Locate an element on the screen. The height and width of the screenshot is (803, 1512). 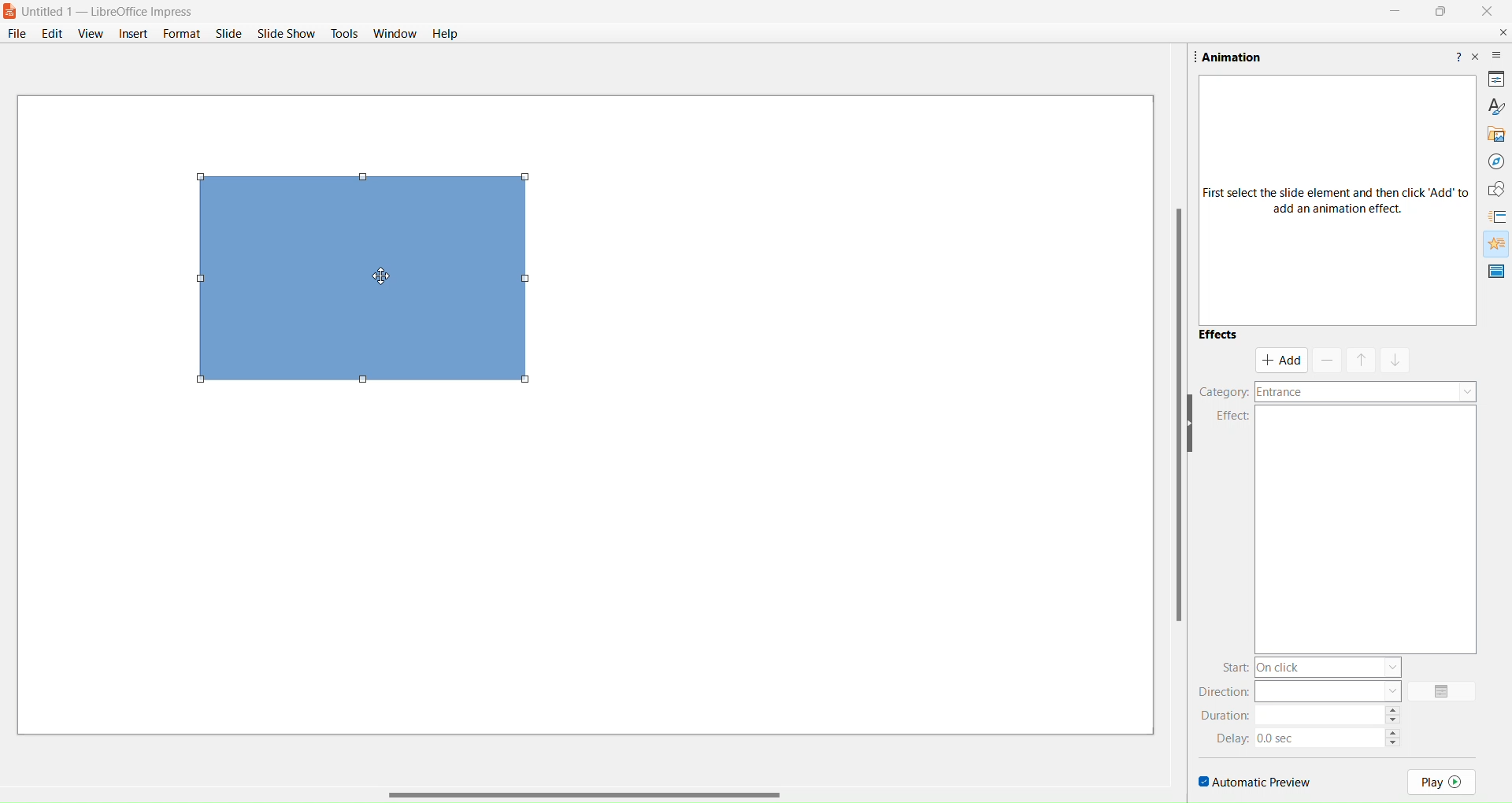
brush is located at coordinates (1494, 105).